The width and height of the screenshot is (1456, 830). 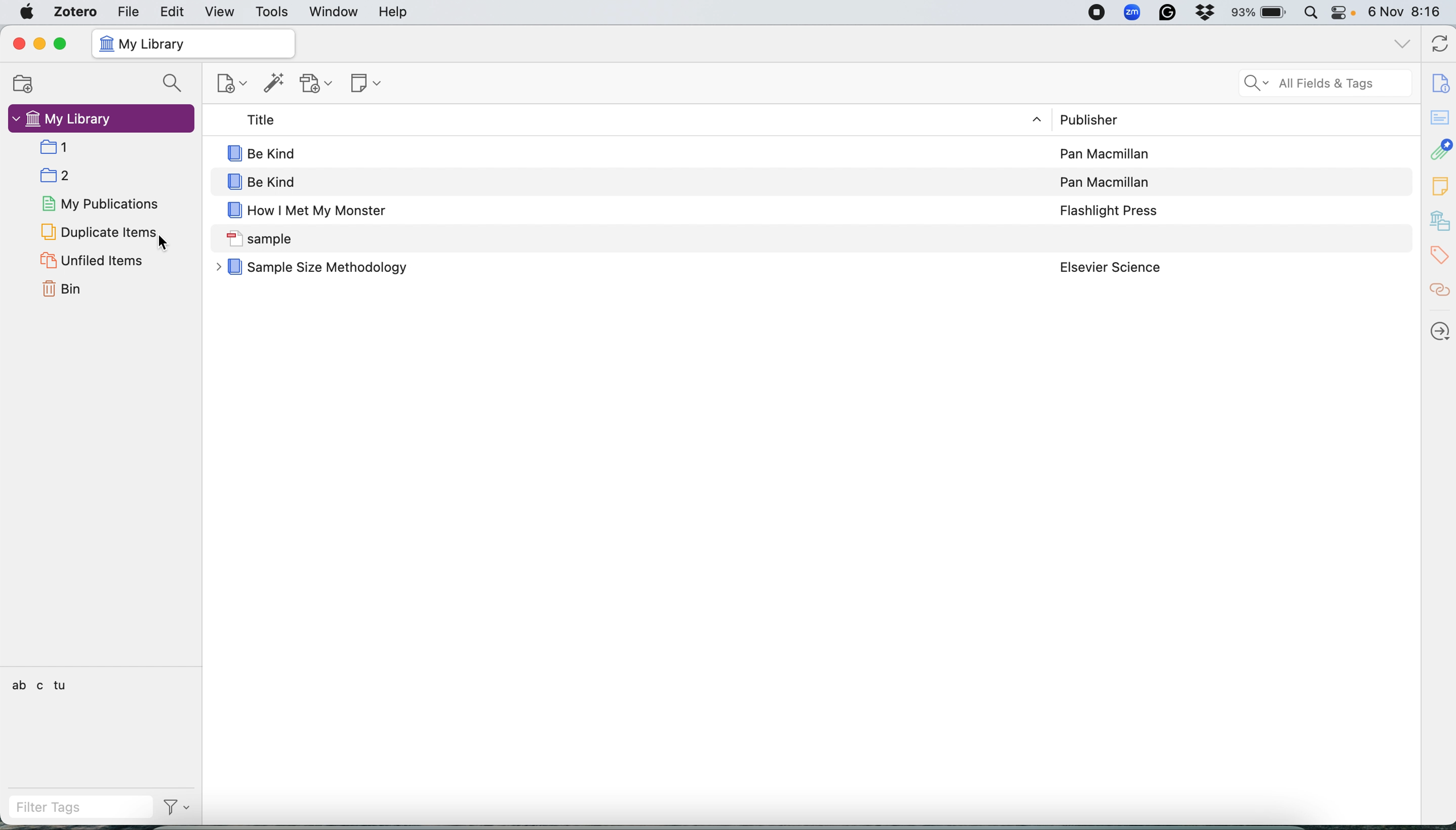 What do you see at coordinates (78, 13) in the screenshot?
I see `zotero` at bounding box center [78, 13].